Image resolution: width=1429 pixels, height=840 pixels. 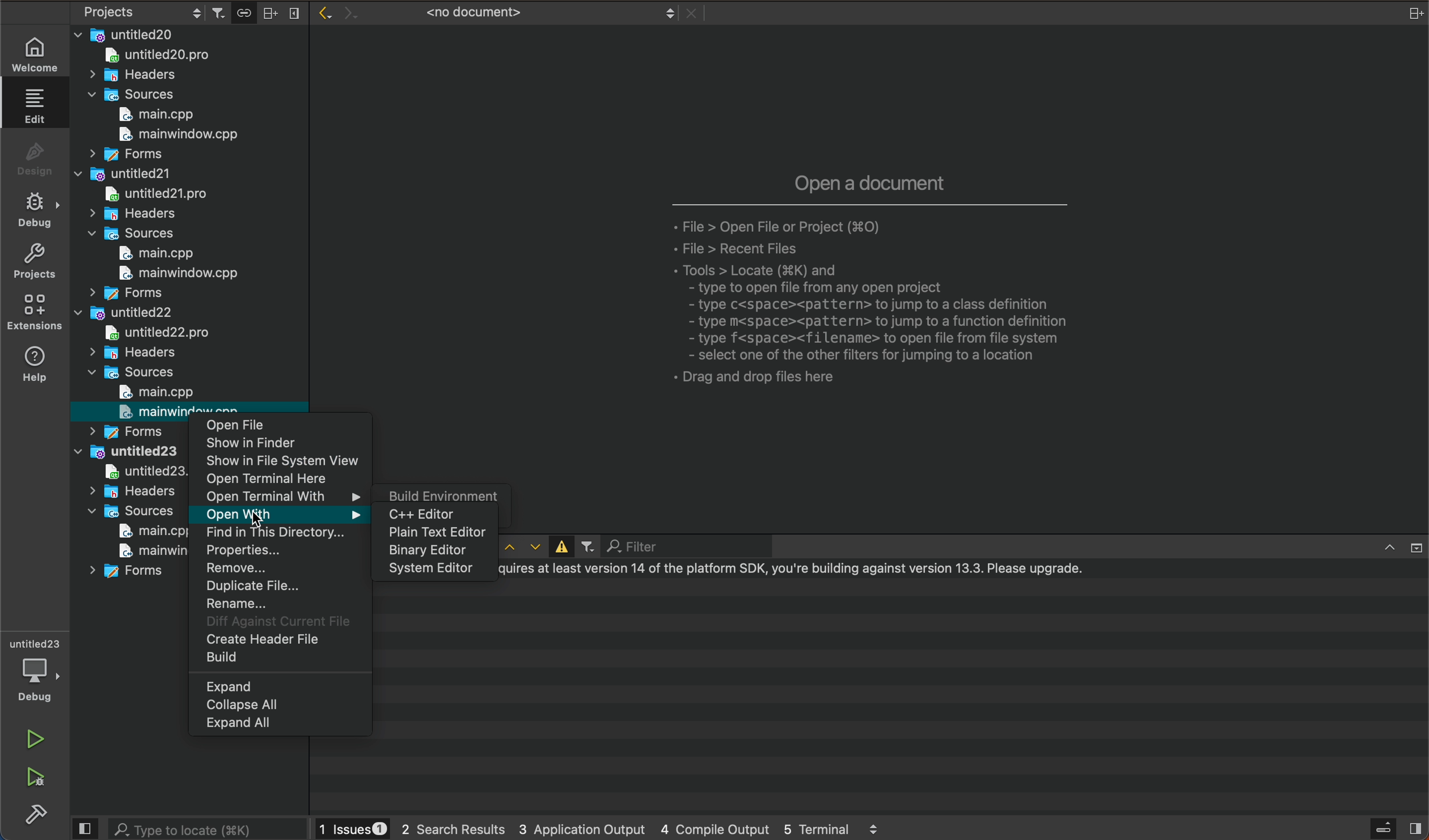 I want to click on terminal, so click(x=904, y=697).